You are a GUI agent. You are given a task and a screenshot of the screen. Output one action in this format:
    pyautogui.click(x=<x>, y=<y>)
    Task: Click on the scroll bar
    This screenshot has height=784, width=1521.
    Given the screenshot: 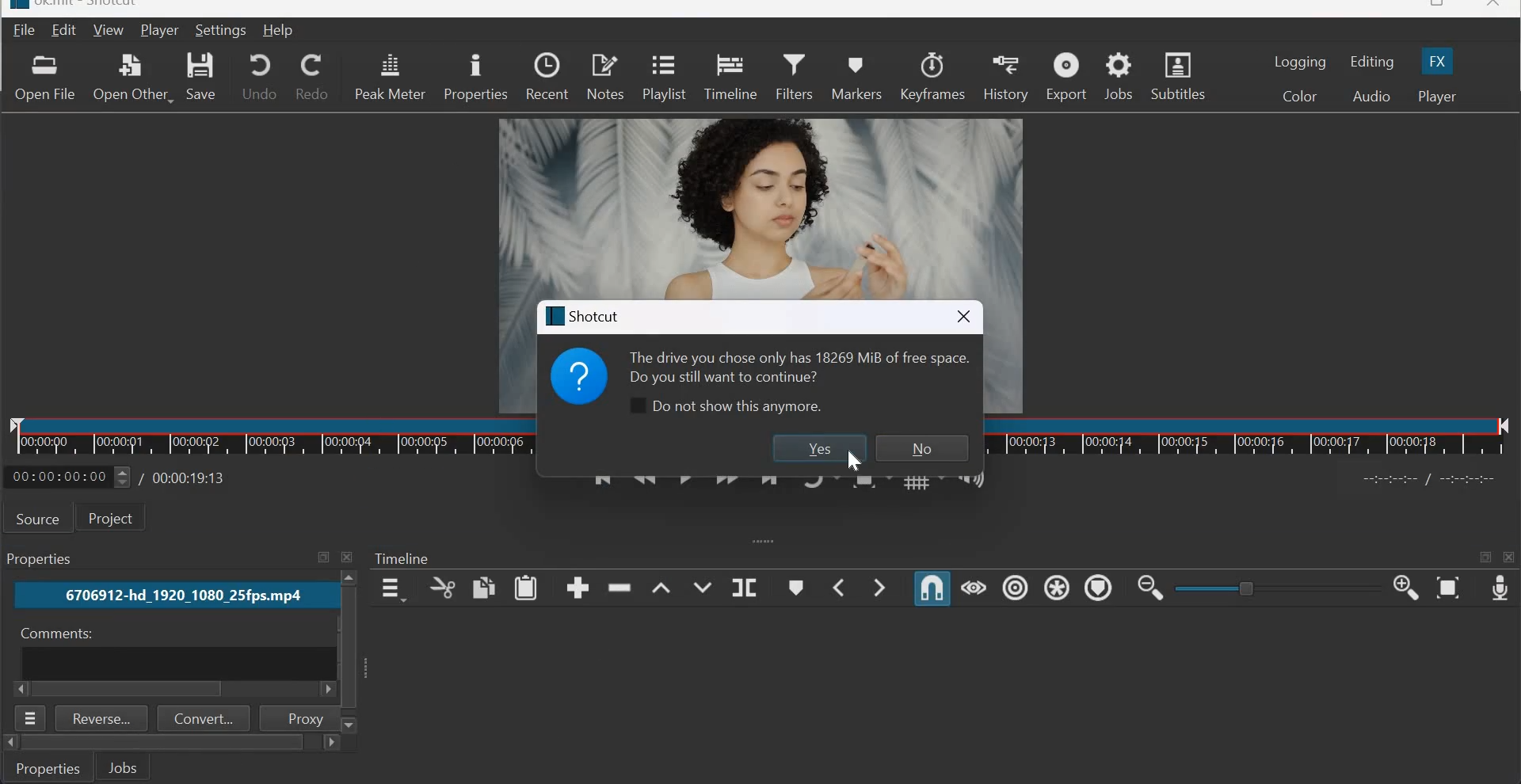 What is the action you would take?
    pyautogui.click(x=163, y=743)
    